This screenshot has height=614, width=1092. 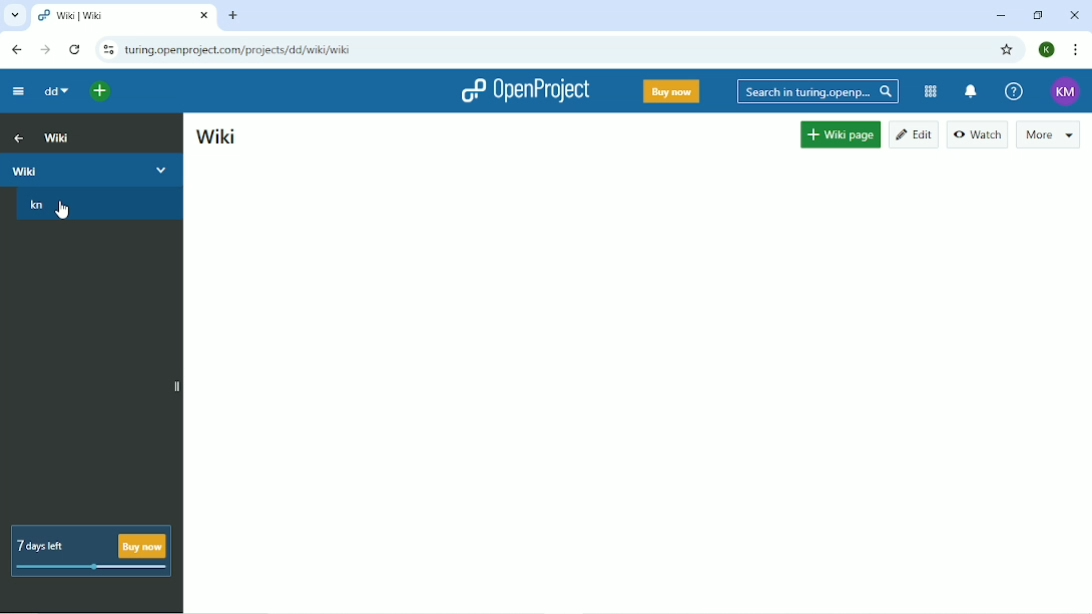 What do you see at coordinates (1074, 50) in the screenshot?
I see `Customize and control google chrome` at bounding box center [1074, 50].